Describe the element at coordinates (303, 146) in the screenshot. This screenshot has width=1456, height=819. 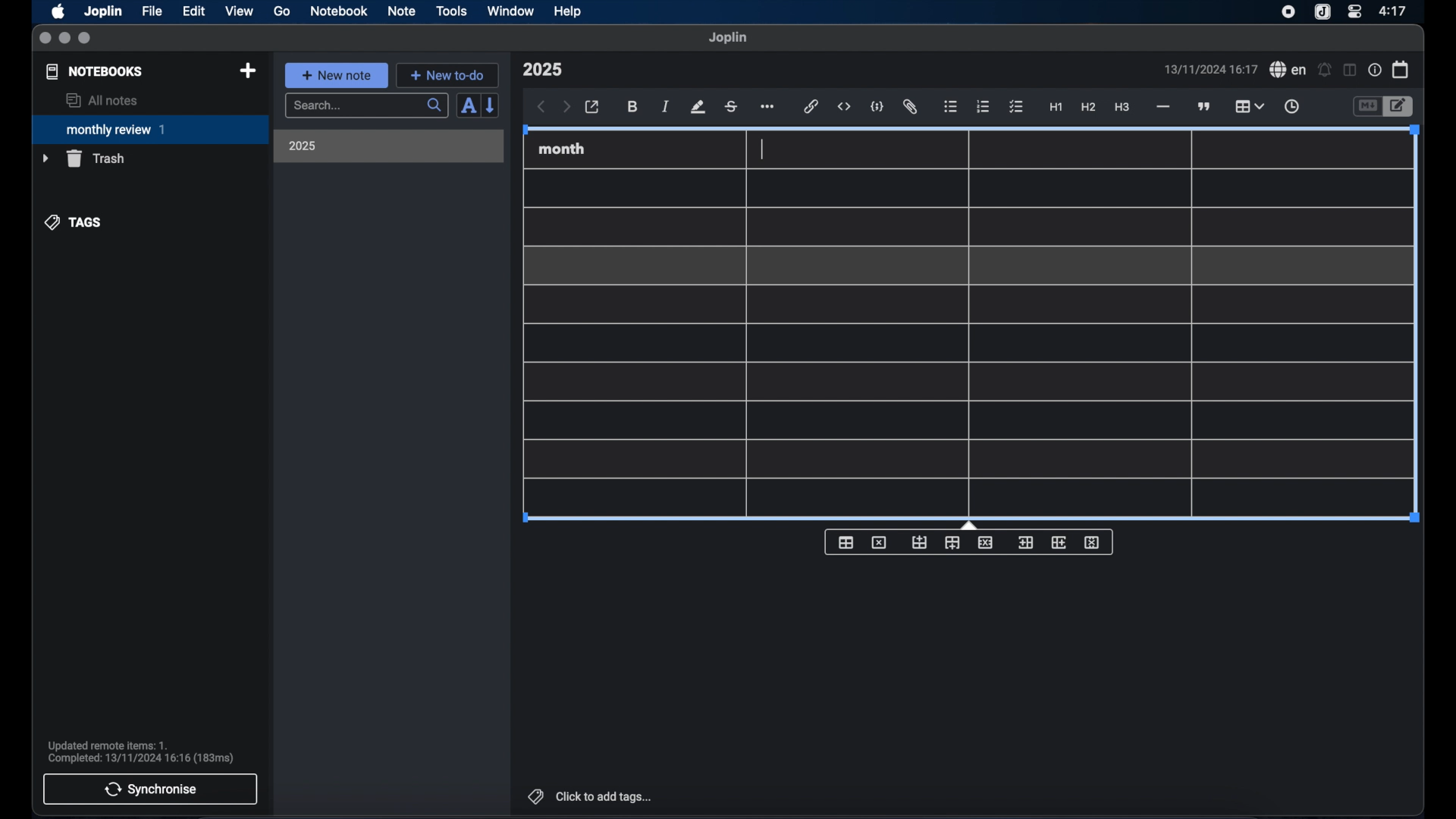
I see `2025` at that location.